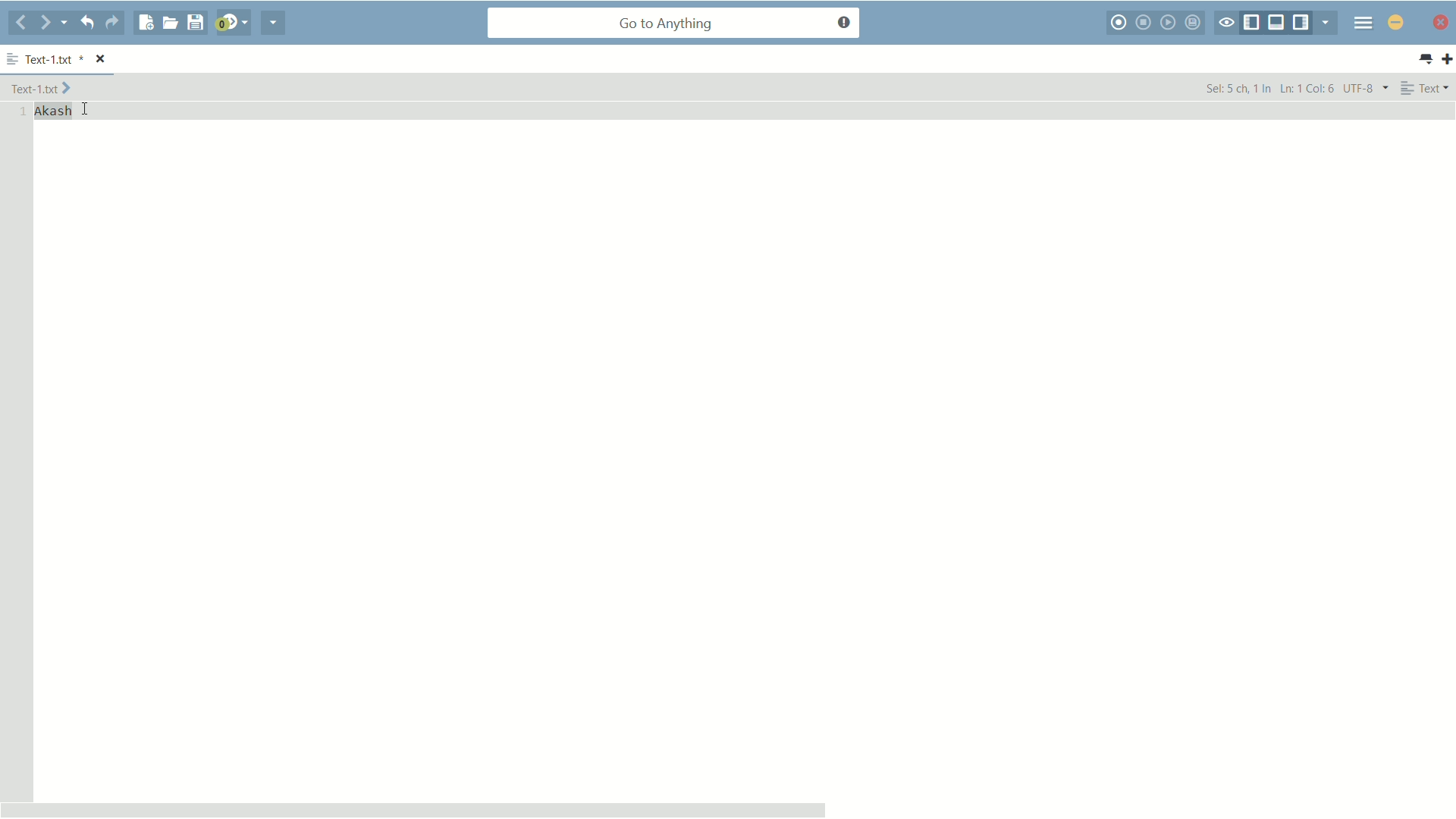 This screenshot has height=819, width=1456. Describe the element at coordinates (21, 24) in the screenshot. I see `back` at that location.